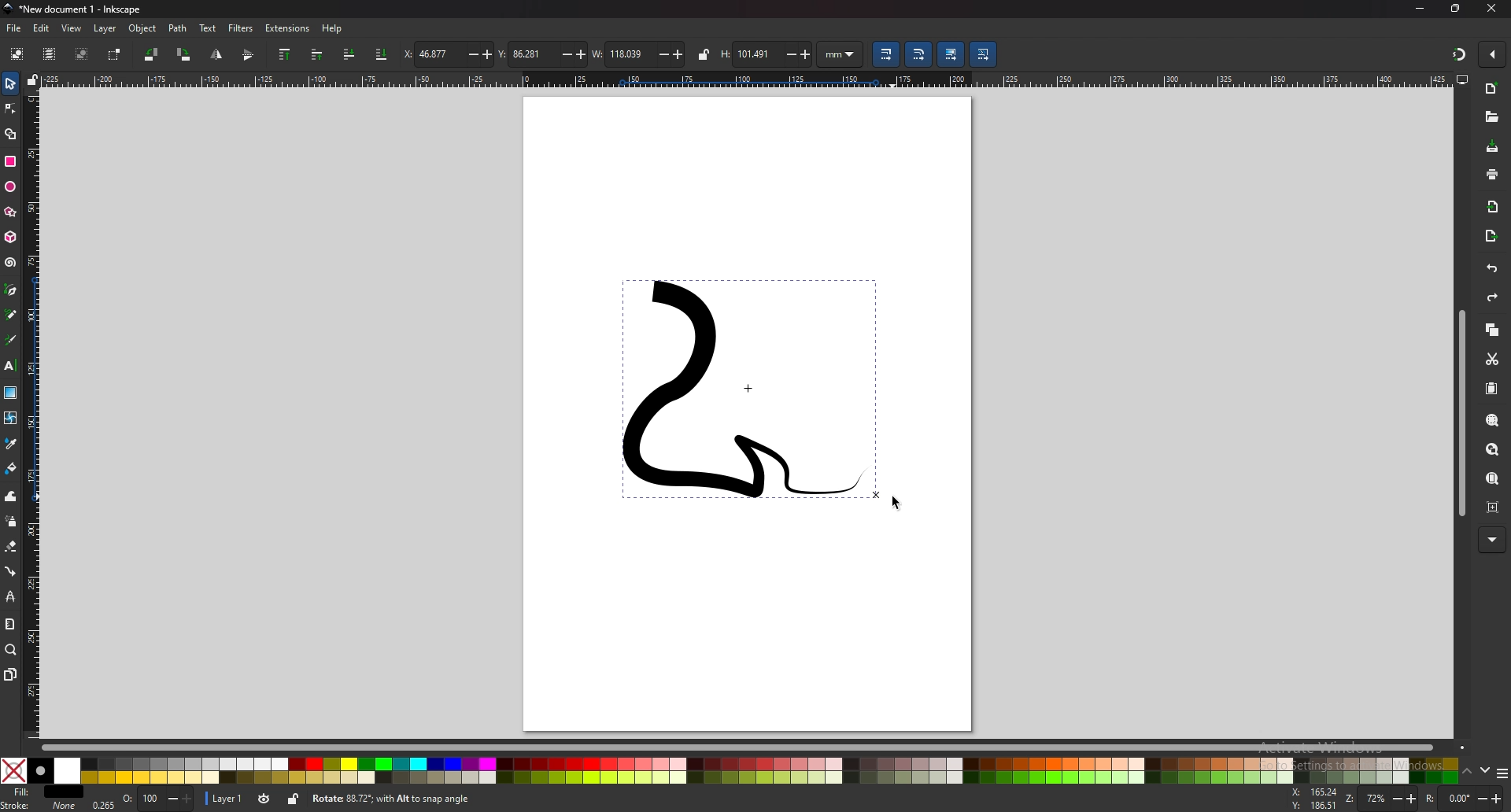  Describe the element at coordinates (11, 571) in the screenshot. I see `connector` at that location.